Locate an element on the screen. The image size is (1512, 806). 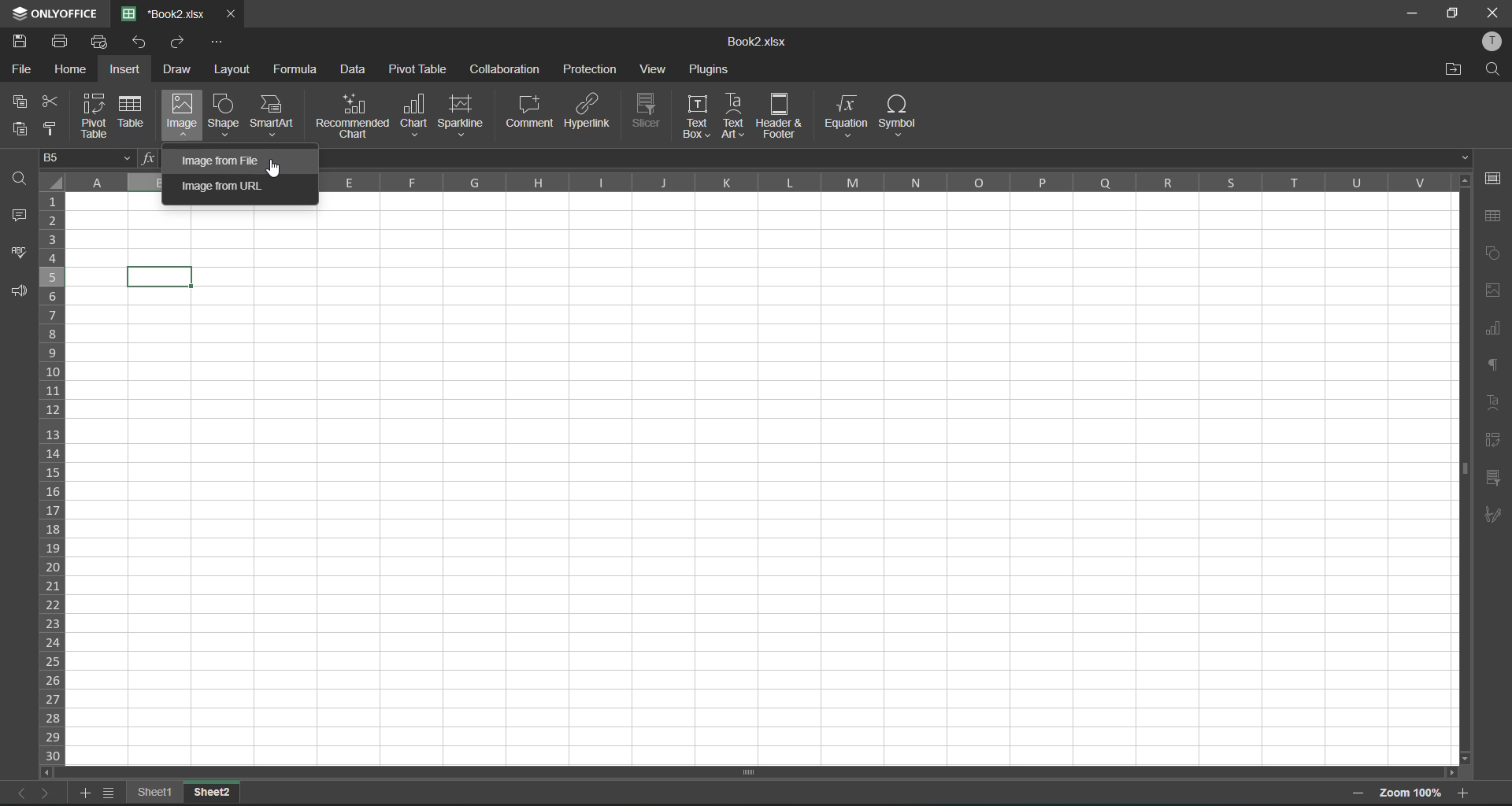
B5 is located at coordinates (83, 158).